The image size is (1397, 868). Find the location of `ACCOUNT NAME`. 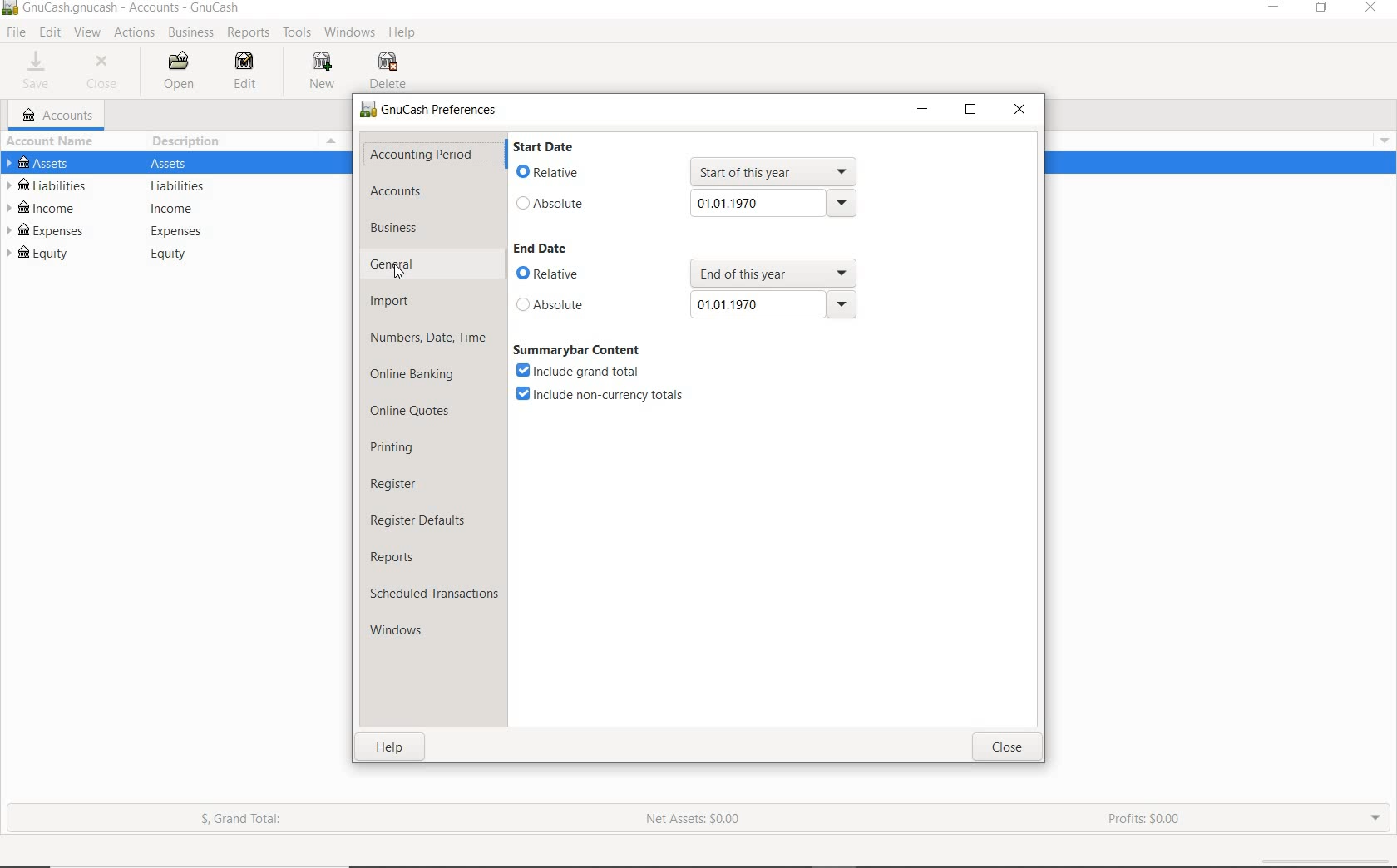

ACCOUNT NAME is located at coordinates (50, 142).